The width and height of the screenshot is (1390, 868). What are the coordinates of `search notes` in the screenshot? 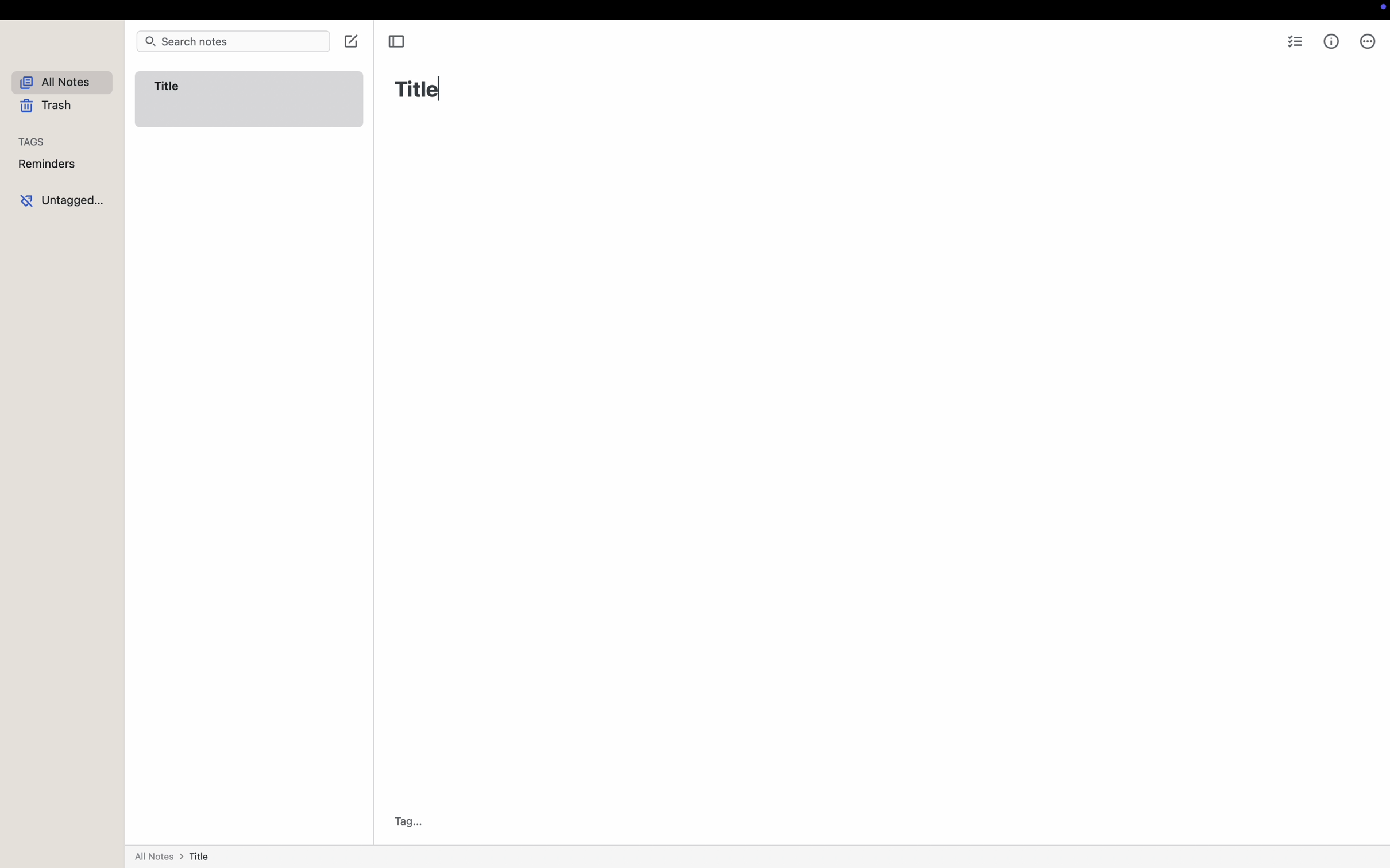 It's located at (233, 42).